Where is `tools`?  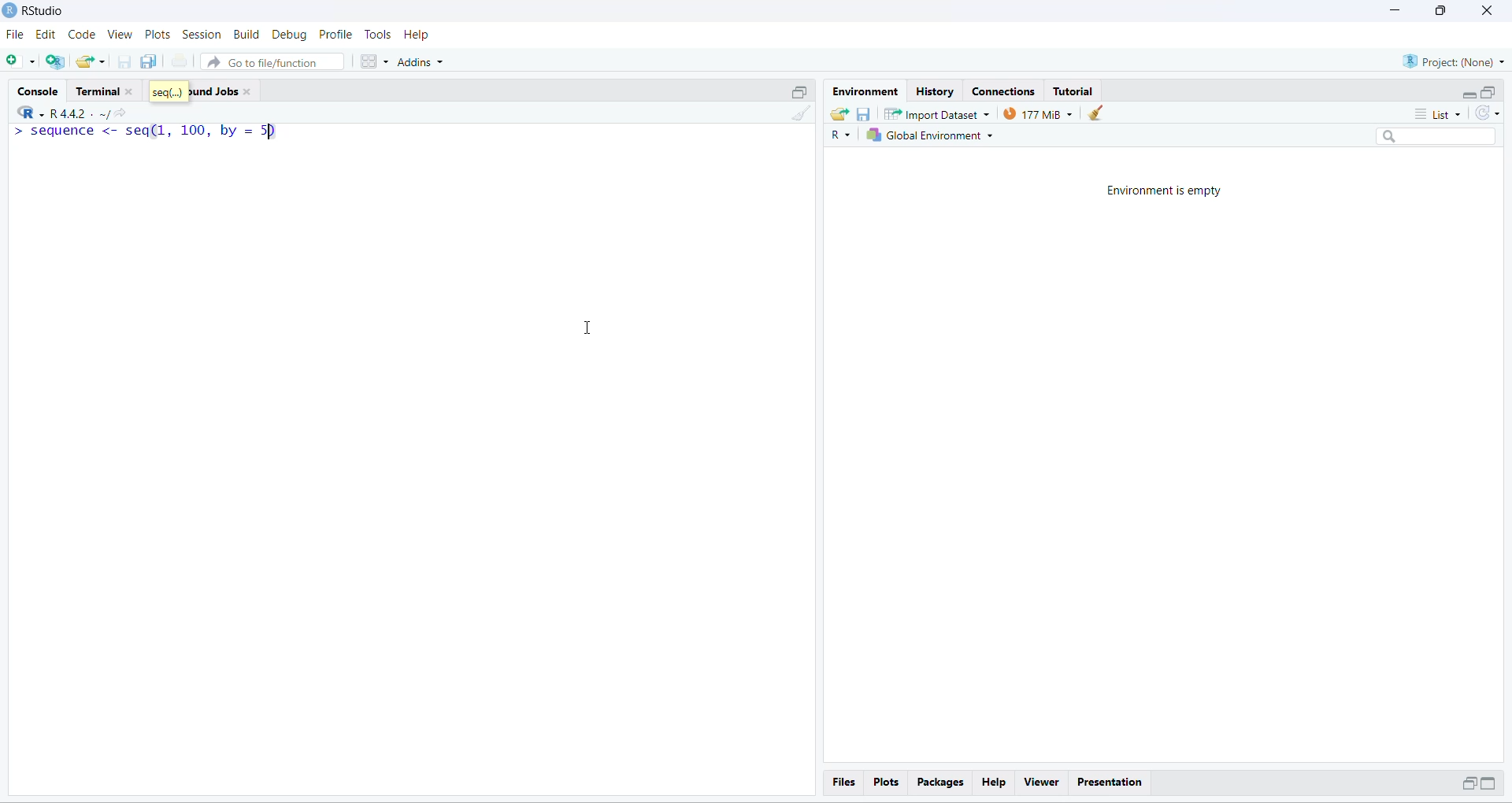 tools is located at coordinates (380, 34).